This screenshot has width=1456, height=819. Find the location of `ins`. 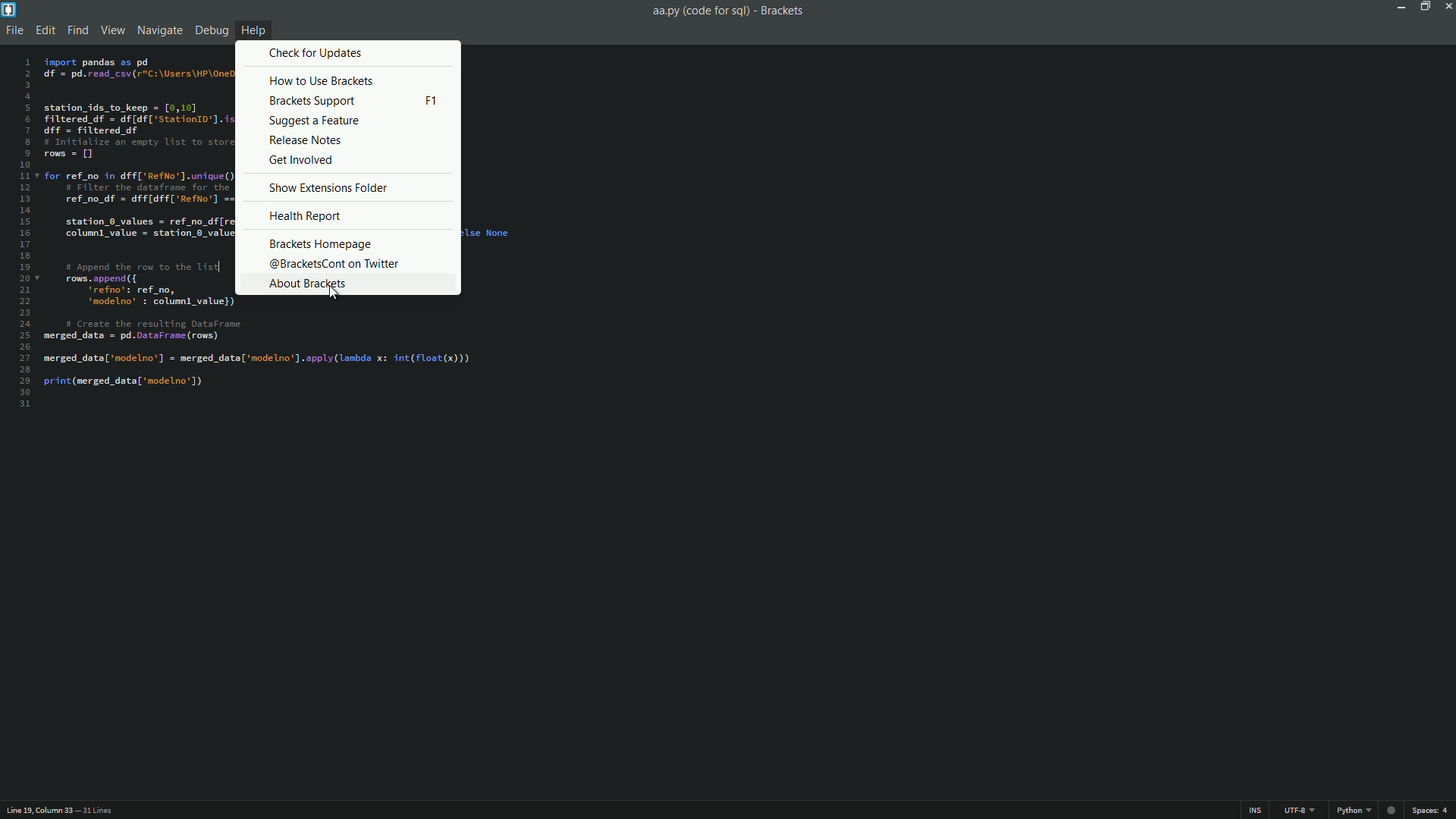

ins is located at coordinates (1254, 811).